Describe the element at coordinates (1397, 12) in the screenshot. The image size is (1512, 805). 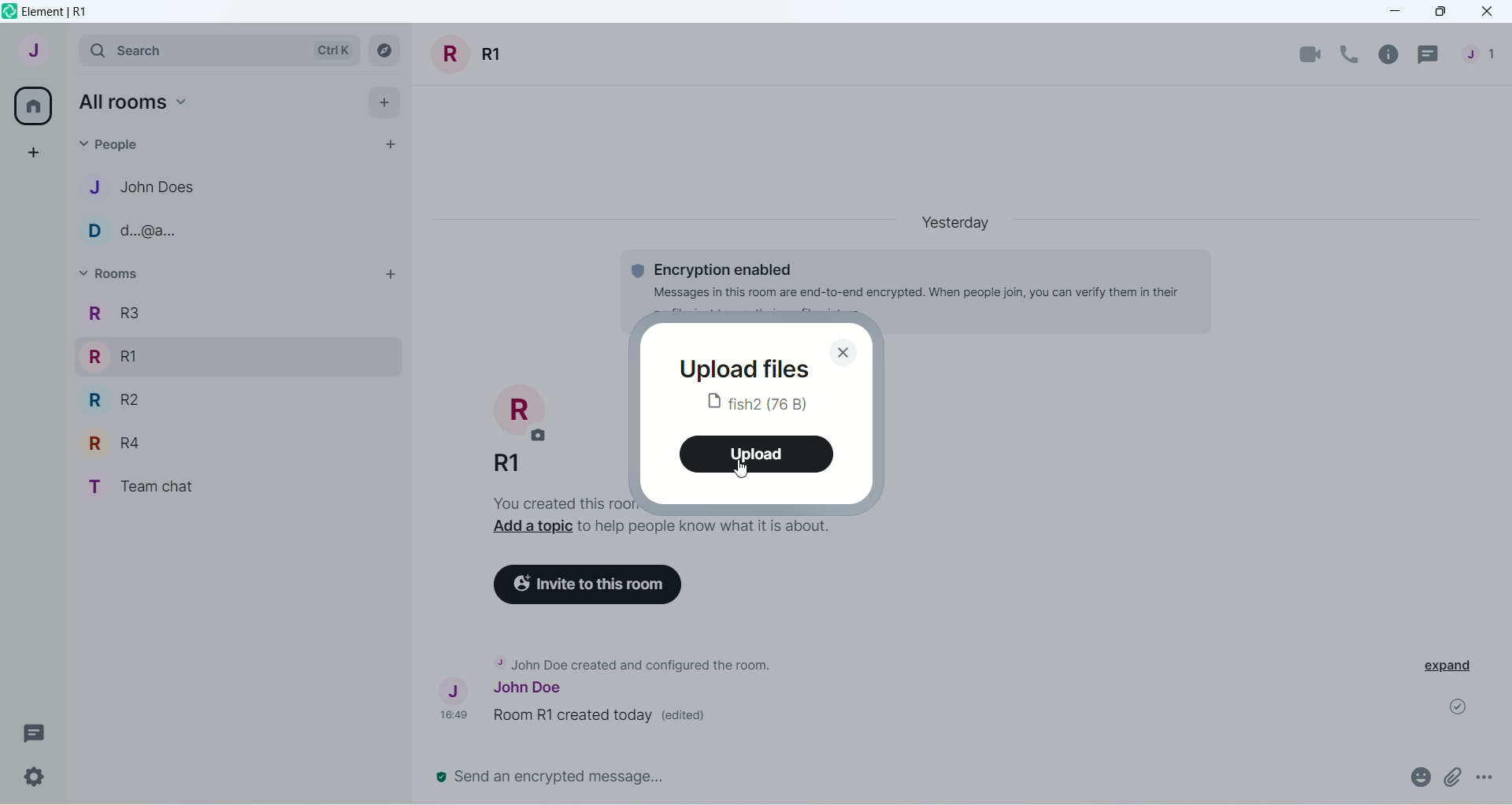
I see `minimize` at that location.